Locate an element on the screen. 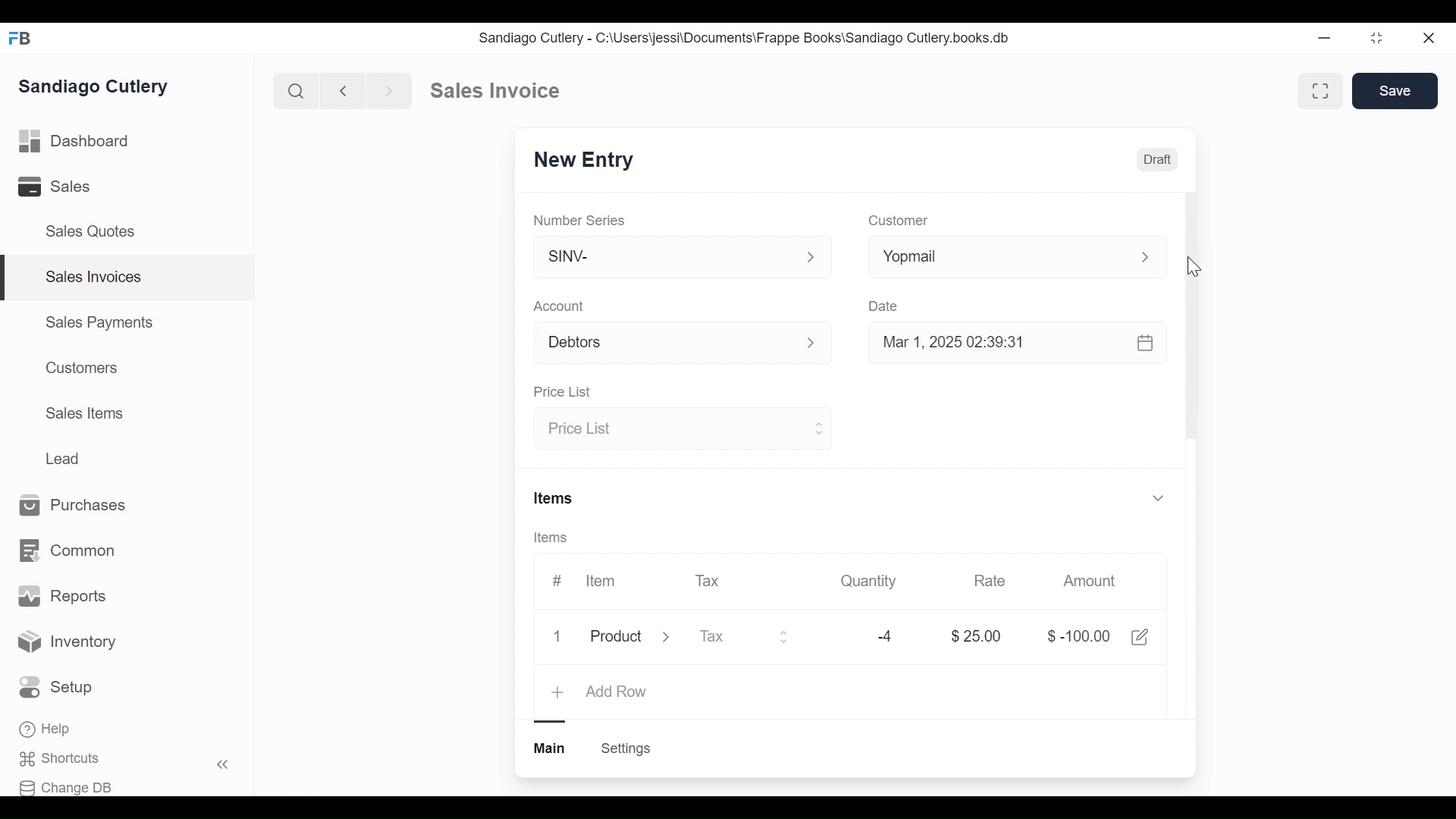 Image resolution: width=1456 pixels, height=819 pixels. Customers is located at coordinates (83, 367).